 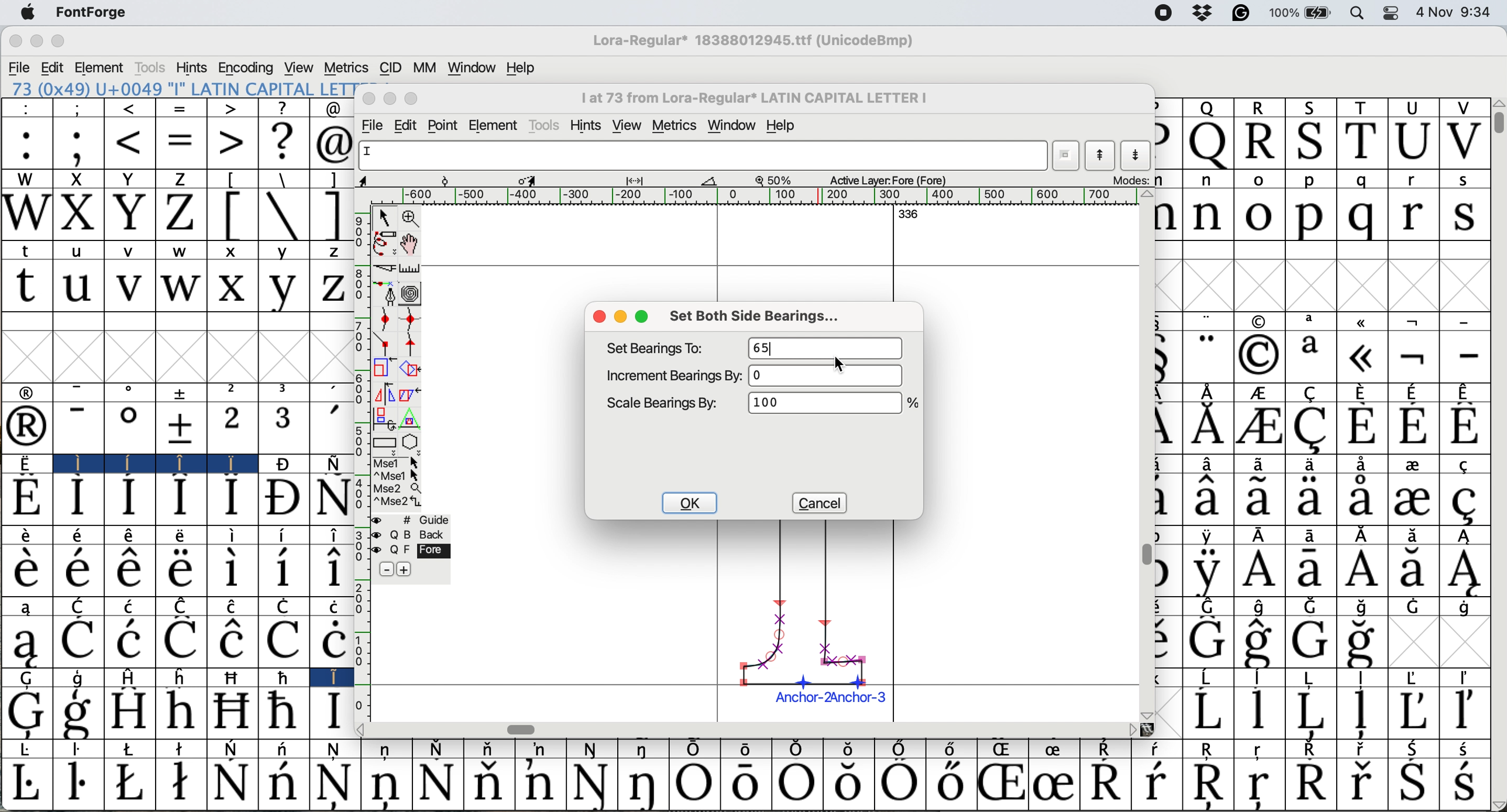 What do you see at coordinates (1414, 107) in the screenshot?
I see `U` at bounding box center [1414, 107].